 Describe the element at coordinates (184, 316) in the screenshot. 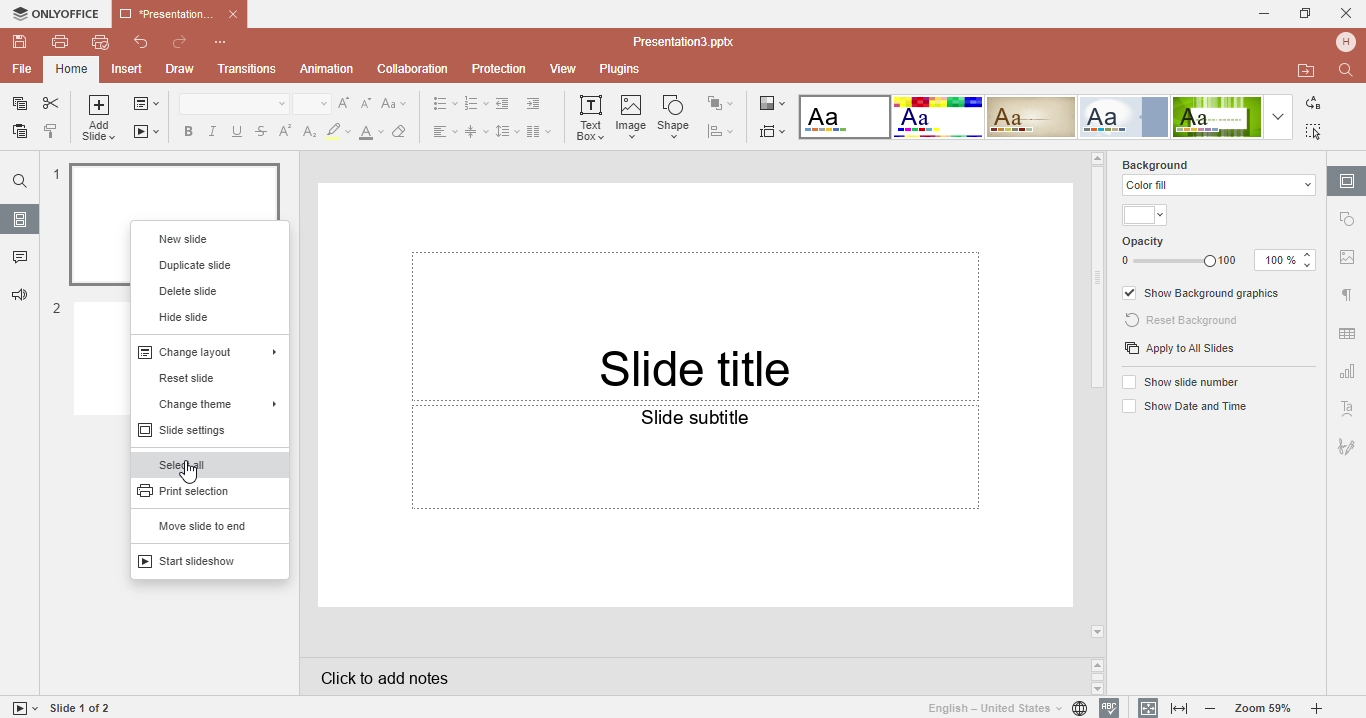

I see `Hide slide` at that location.